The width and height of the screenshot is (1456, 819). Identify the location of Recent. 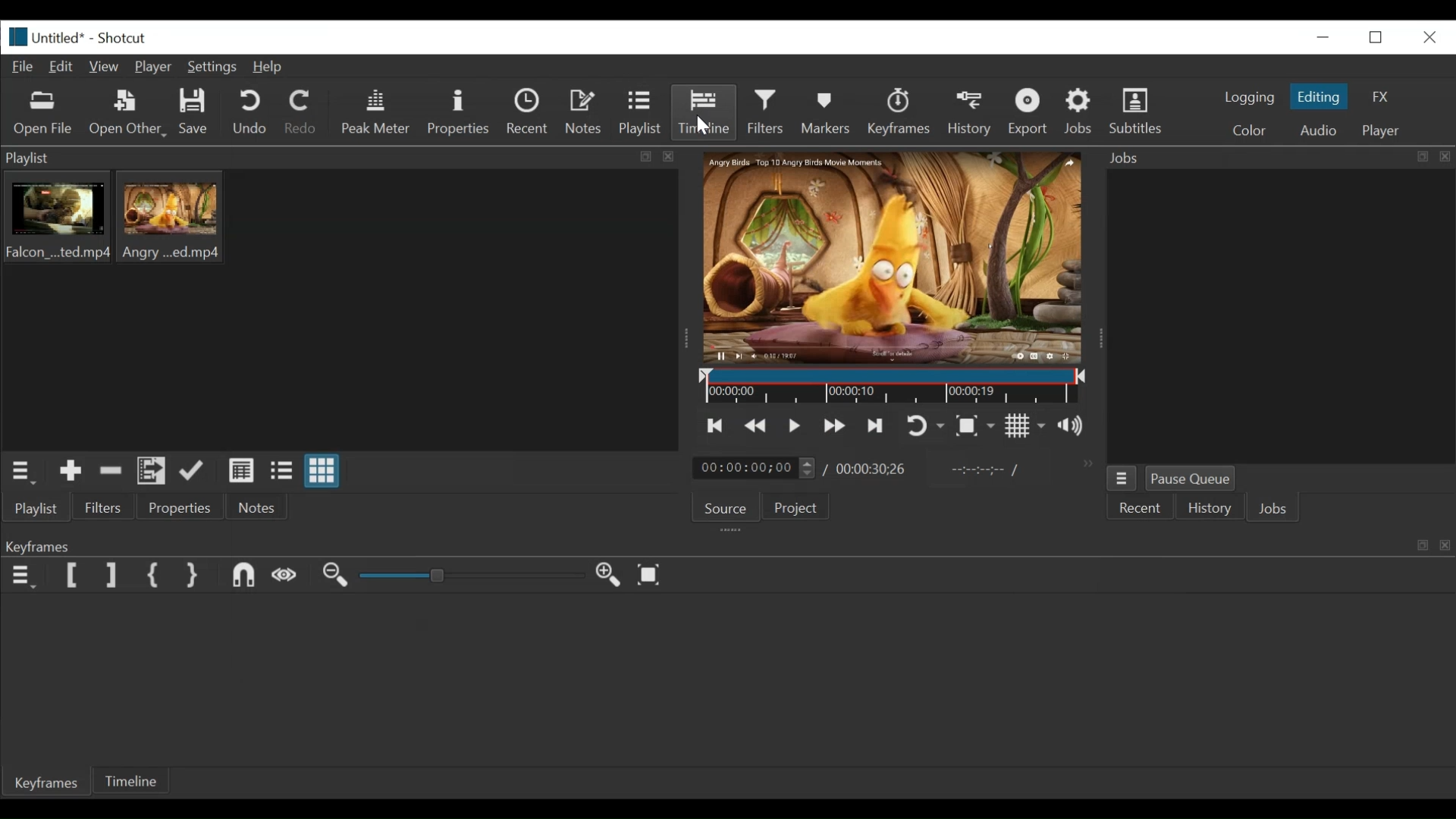
(531, 114).